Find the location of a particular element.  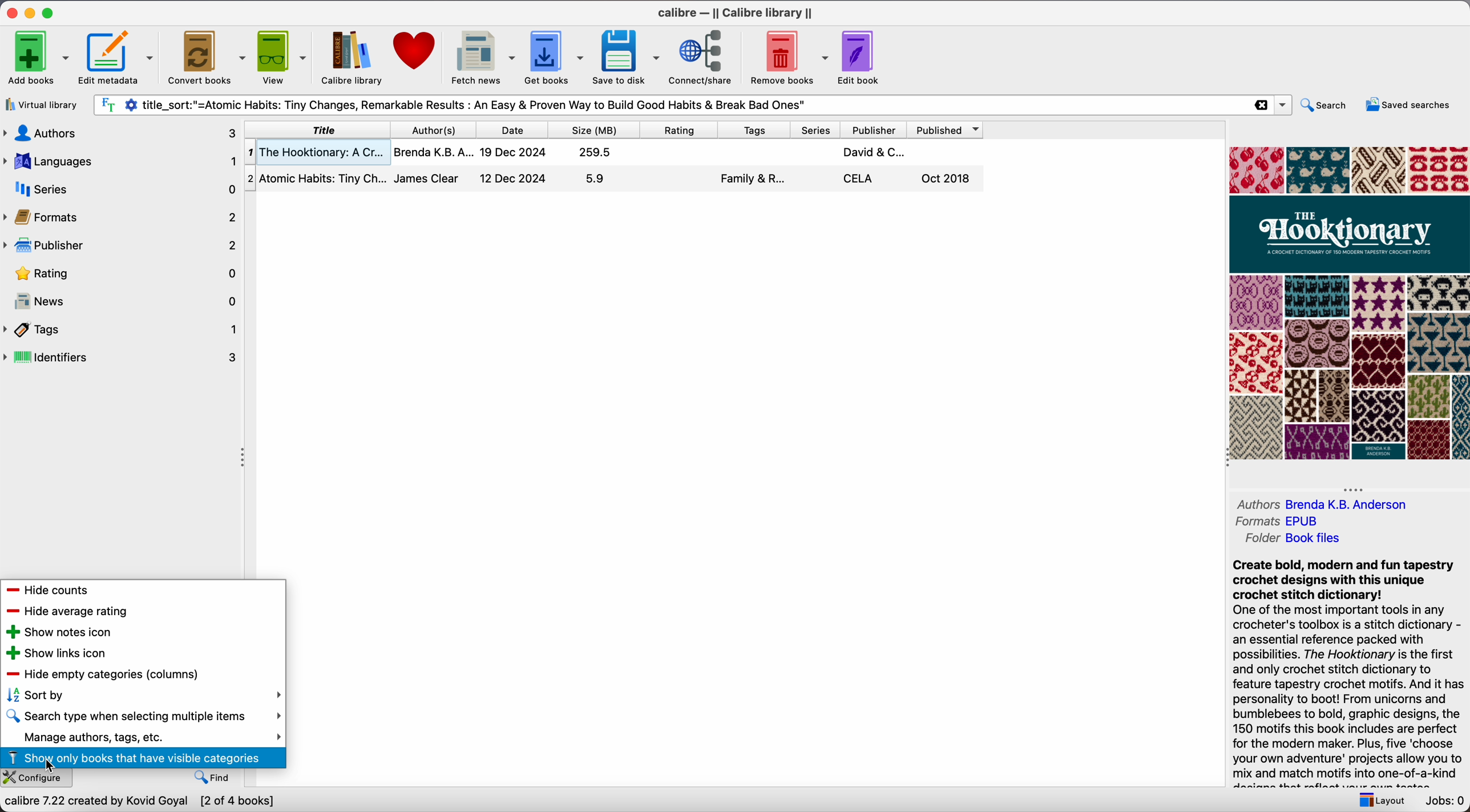

click on show only books that have visible categories is located at coordinates (143, 757).